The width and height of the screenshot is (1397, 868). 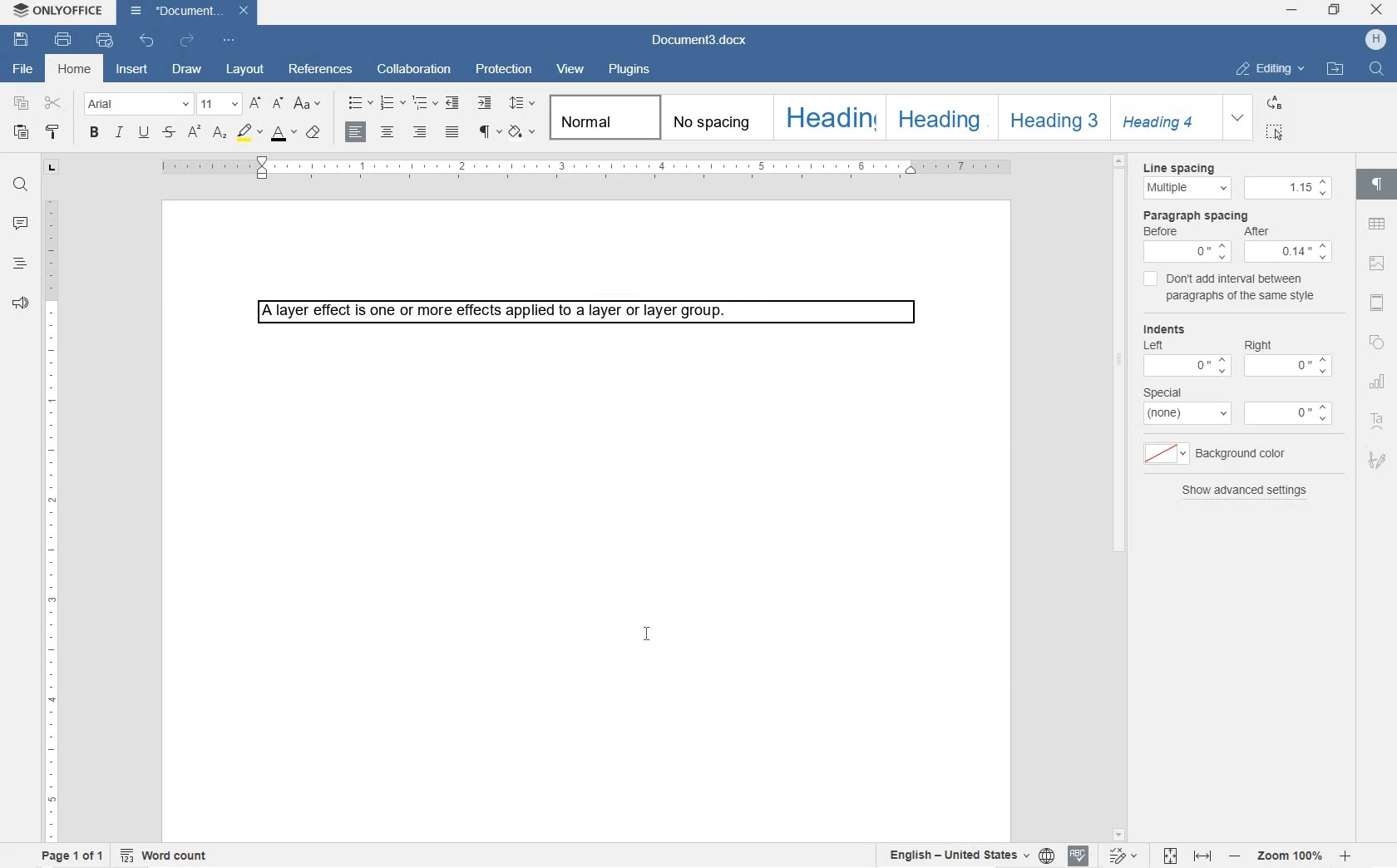 What do you see at coordinates (1188, 857) in the screenshot?
I see `FIT PAGE OR WIDTH` at bounding box center [1188, 857].